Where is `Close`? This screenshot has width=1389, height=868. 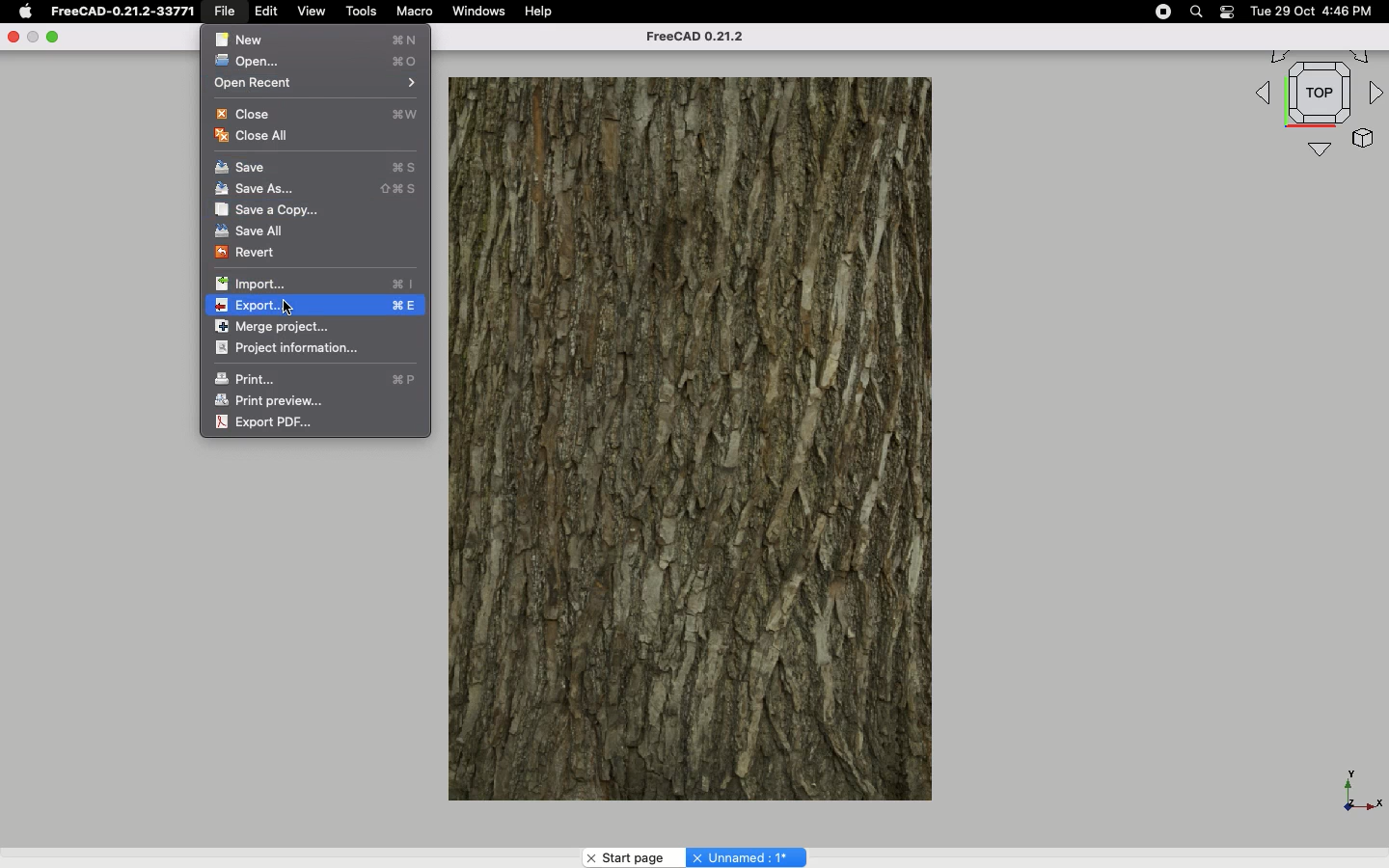
Close is located at coordinates (16, 38).